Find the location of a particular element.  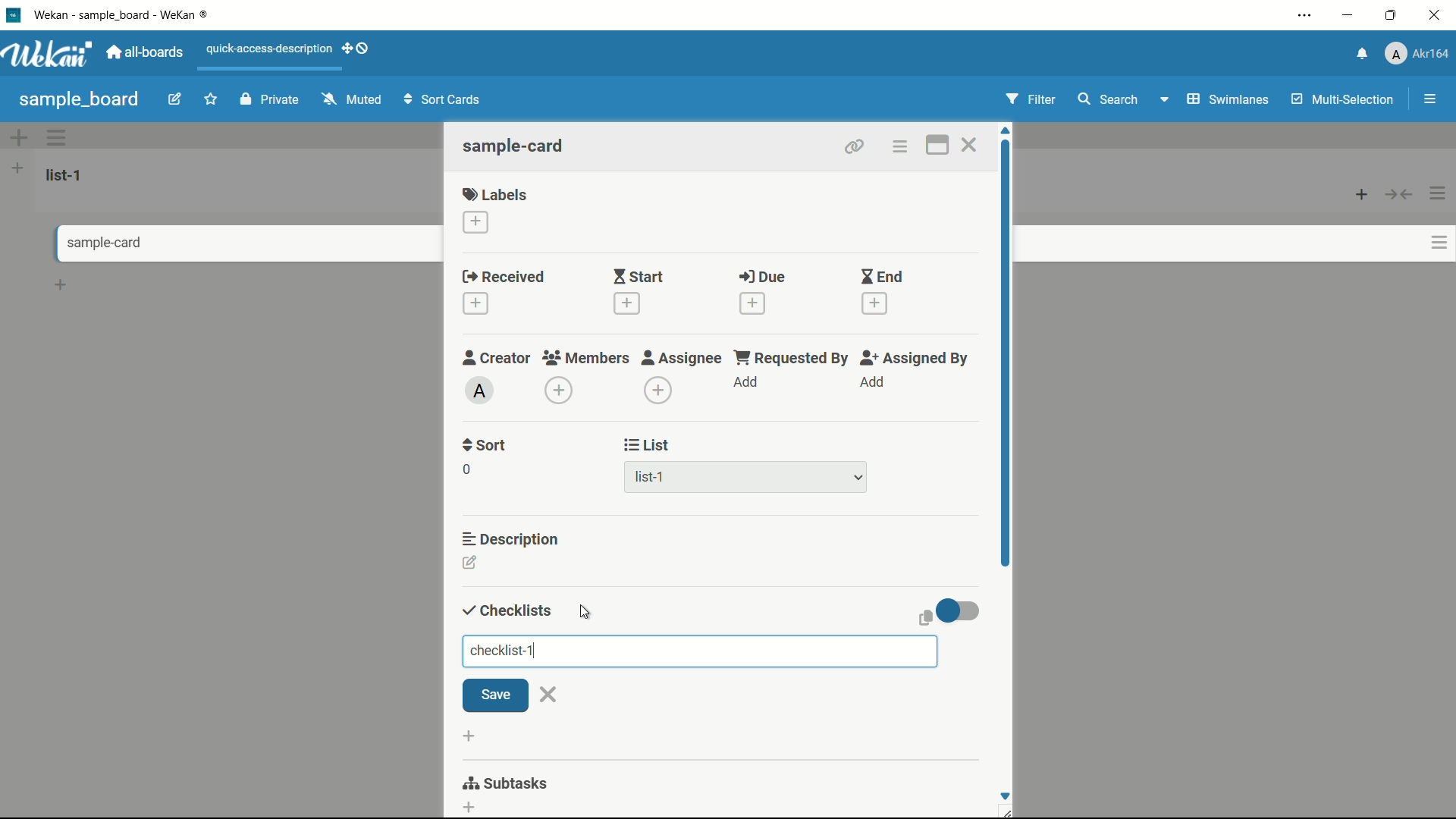

muted is located at coordinates (350, 100).